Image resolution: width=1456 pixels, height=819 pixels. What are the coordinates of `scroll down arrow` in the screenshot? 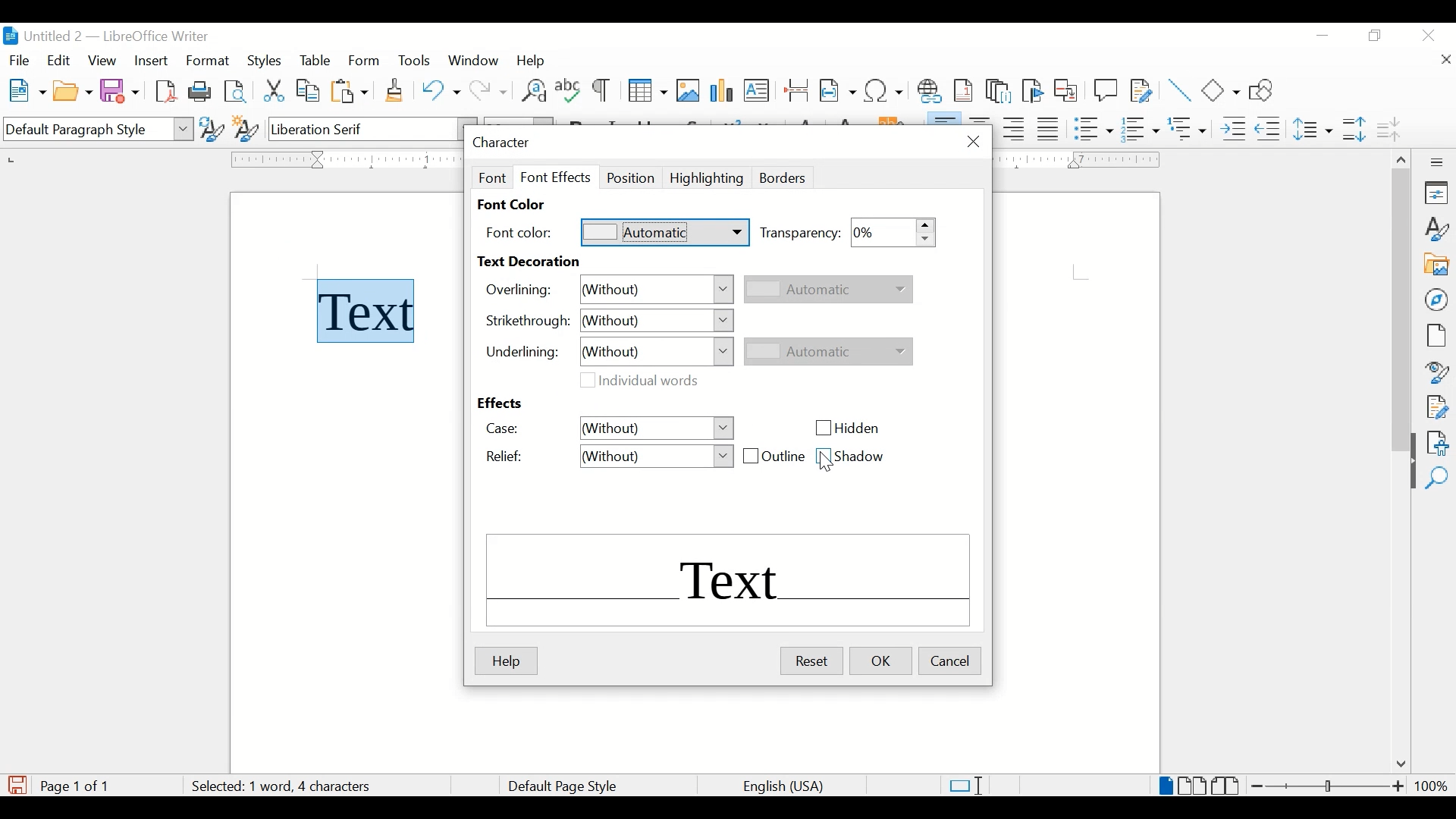 It's located at (1398, 765).